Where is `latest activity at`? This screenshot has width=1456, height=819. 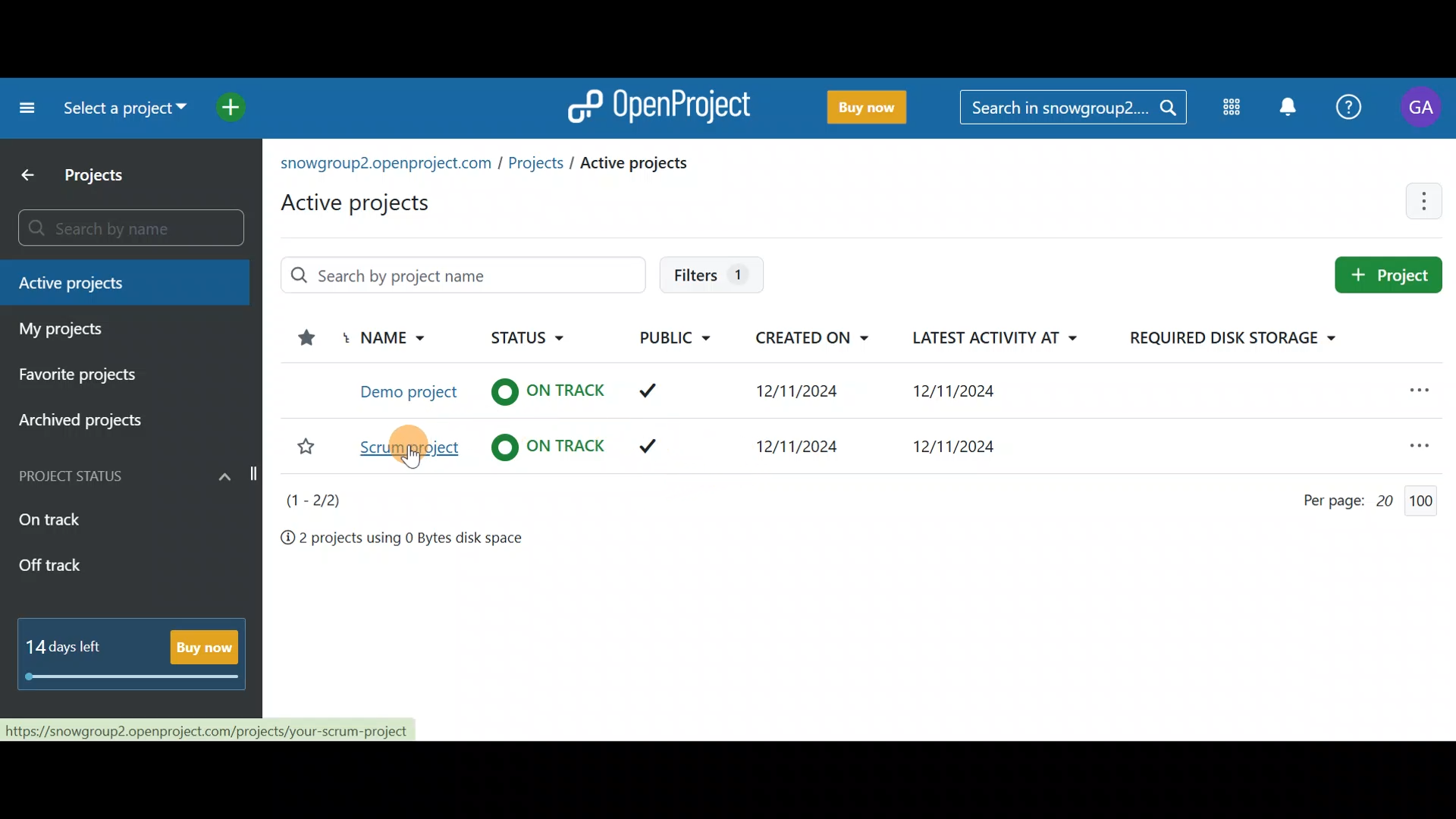
latest activity at is located at coordinates (954, 392).